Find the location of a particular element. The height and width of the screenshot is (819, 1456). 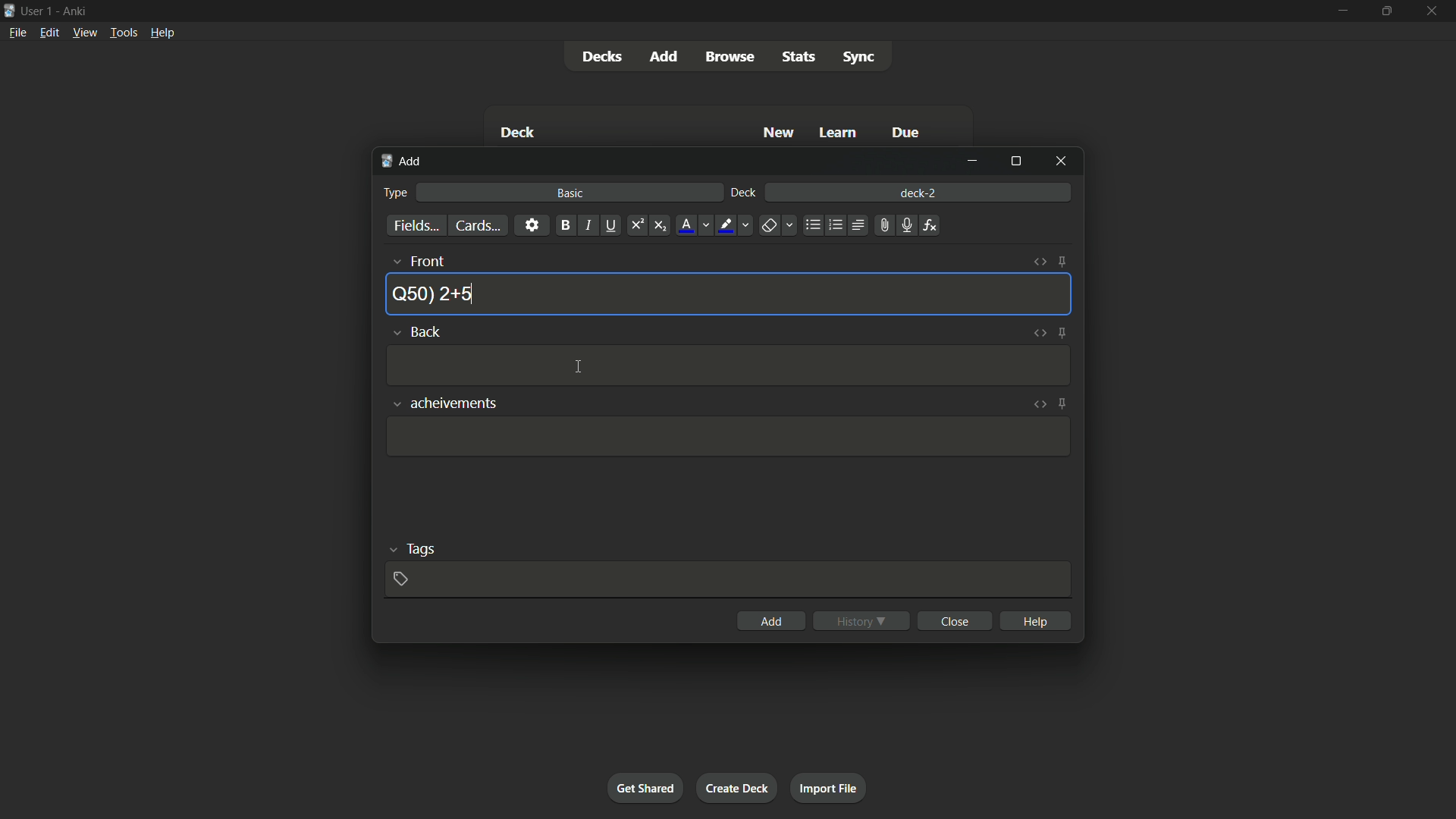

superscript is located at coordinates (636, 225).